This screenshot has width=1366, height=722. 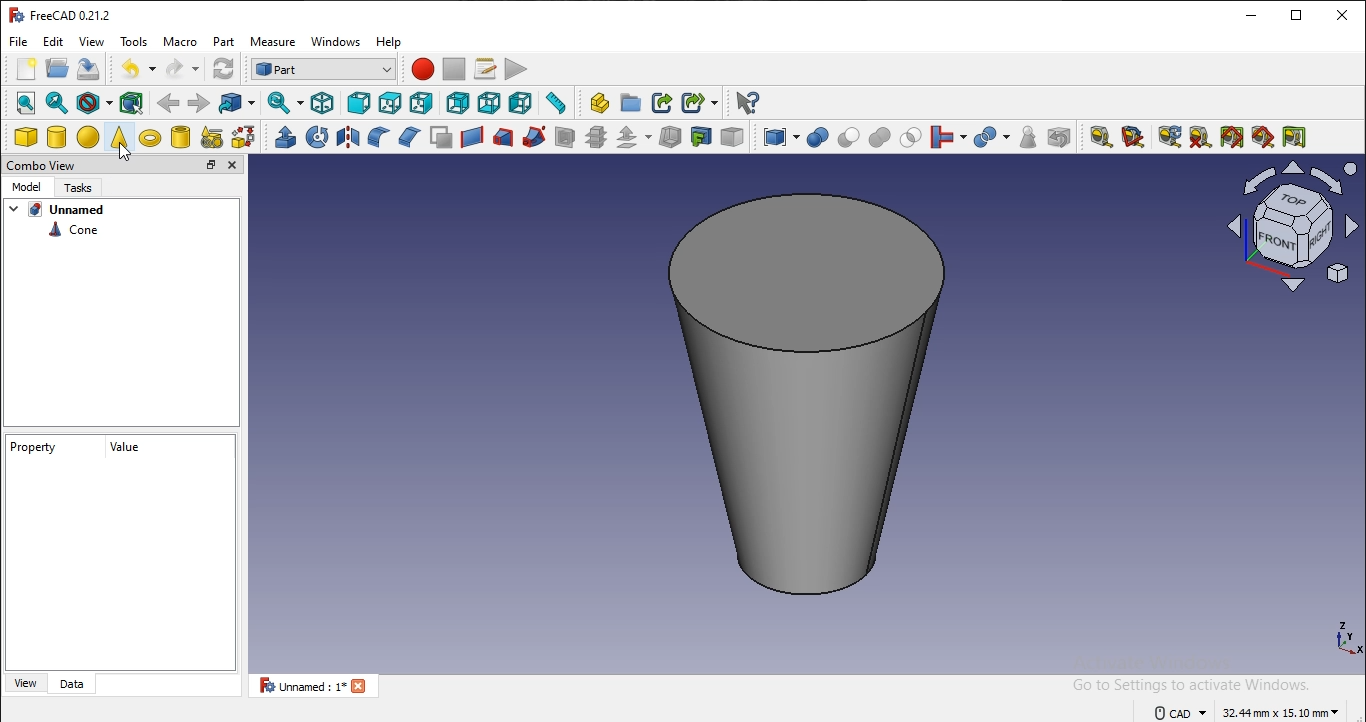 I want to click on fit selection, so click(x=57, y=102).